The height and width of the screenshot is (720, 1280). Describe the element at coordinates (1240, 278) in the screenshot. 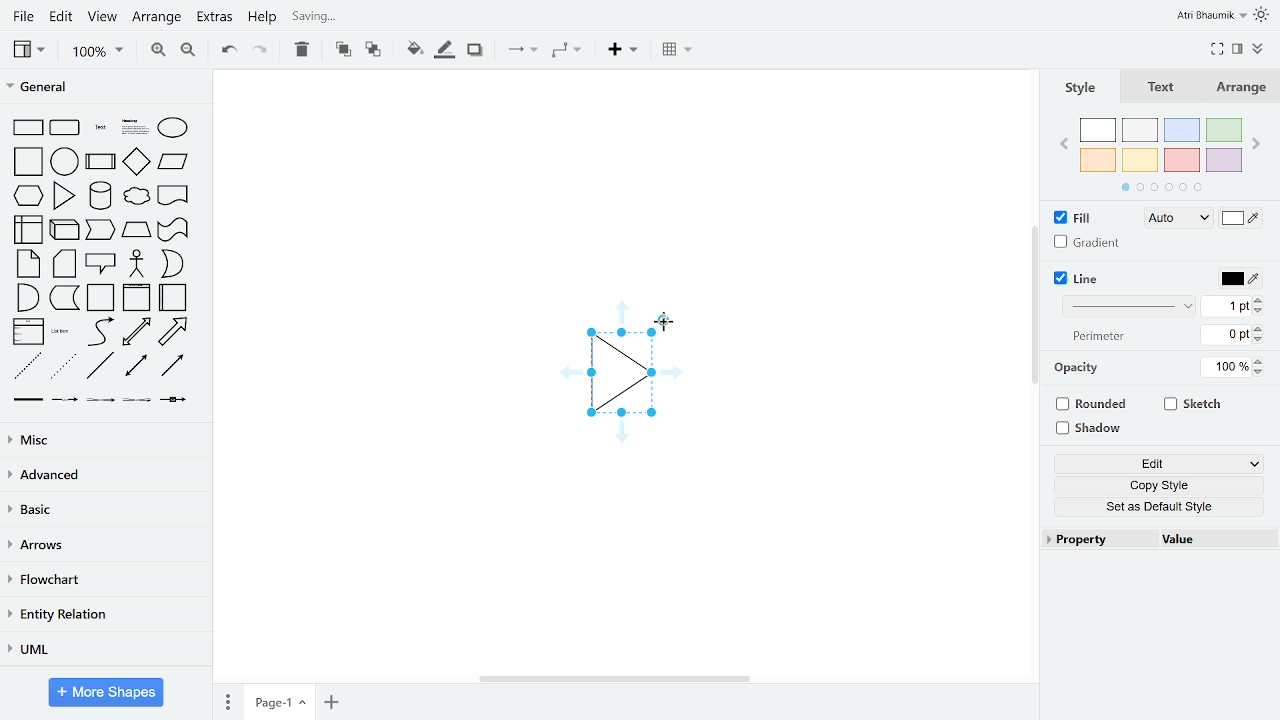

I see `line color` at that location.